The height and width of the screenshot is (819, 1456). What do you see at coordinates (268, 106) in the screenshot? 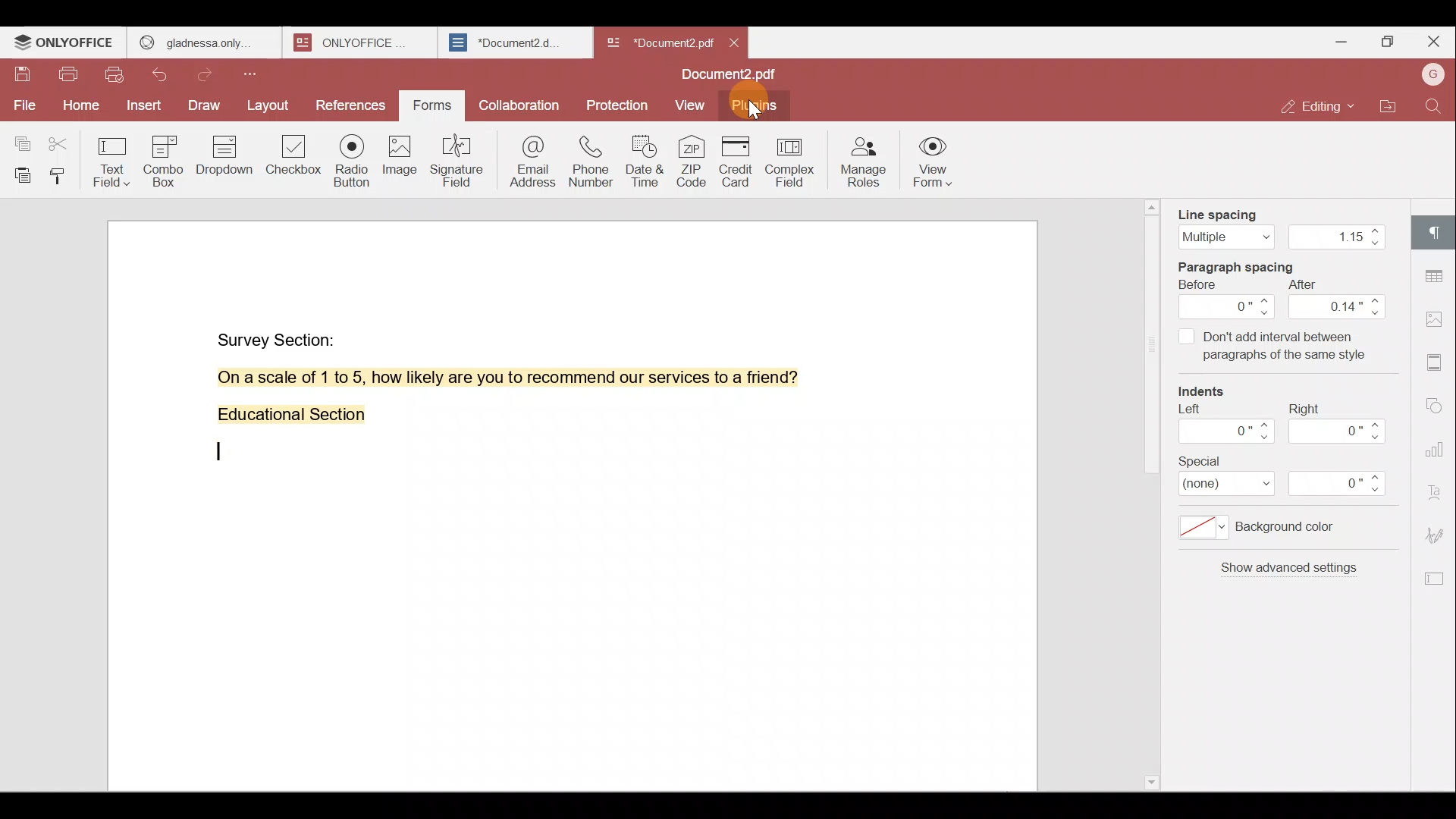
I see `Layout` at bounding box center [268, 106].